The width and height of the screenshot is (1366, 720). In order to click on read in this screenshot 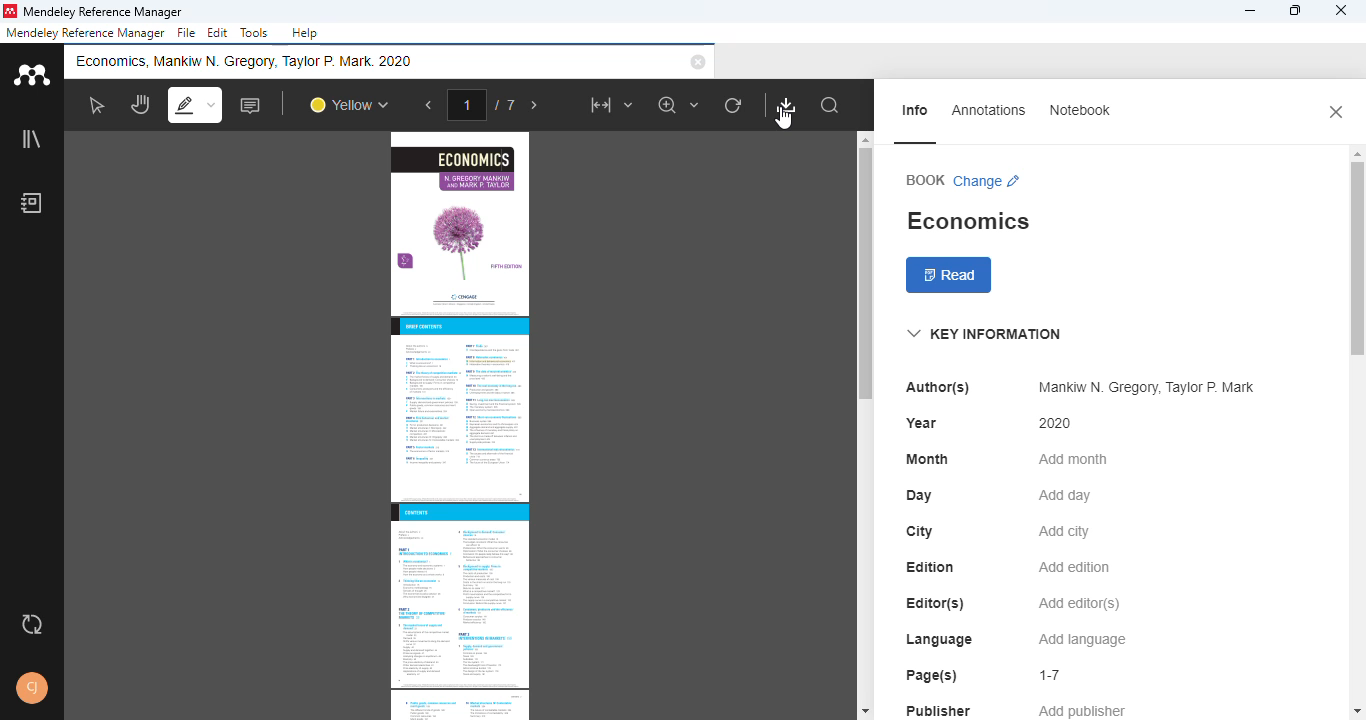, I will do `click(950, 276)`.